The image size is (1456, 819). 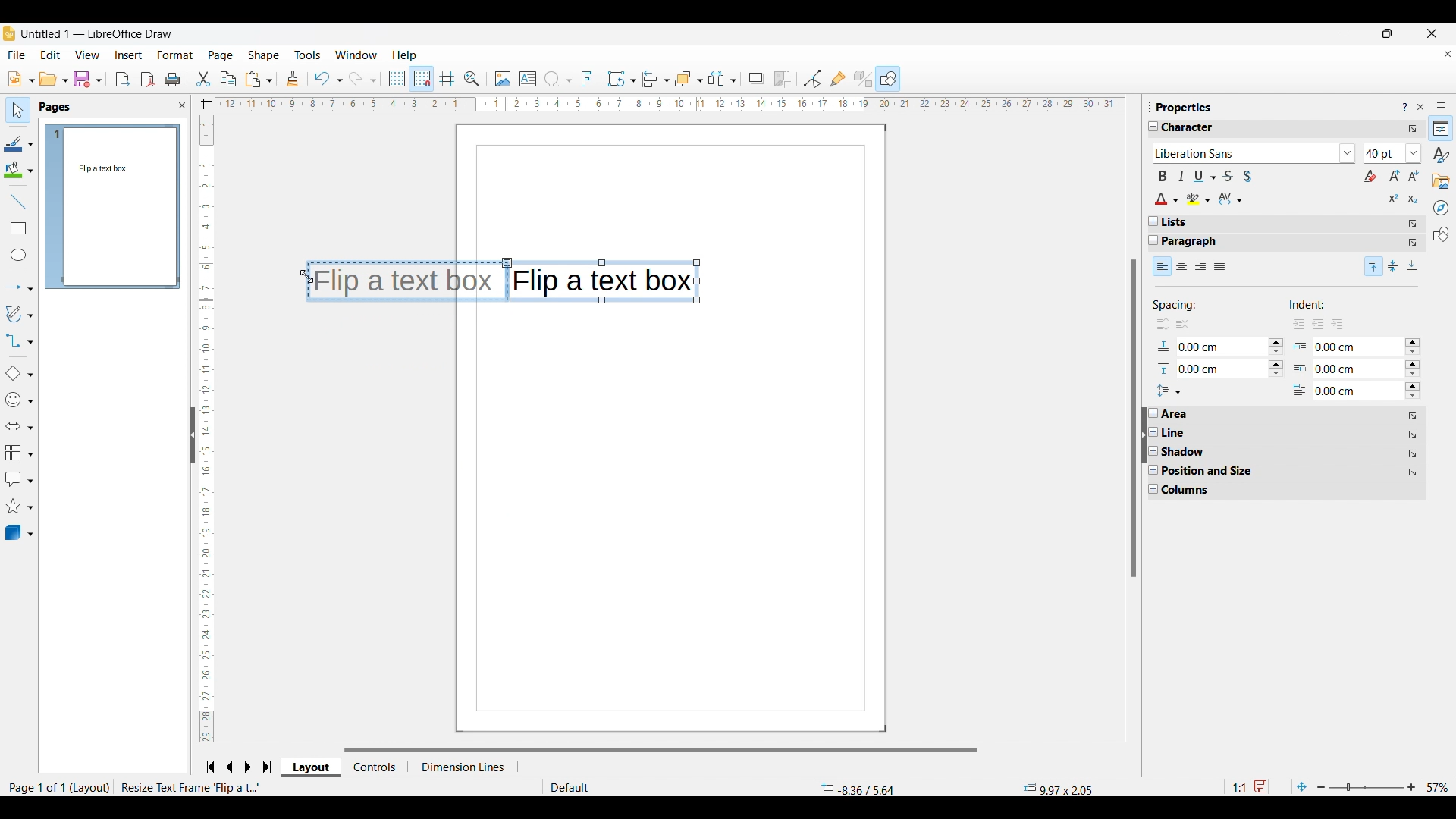 I want to click on Select at least three objects to distribute, so click(x=722, y=80).